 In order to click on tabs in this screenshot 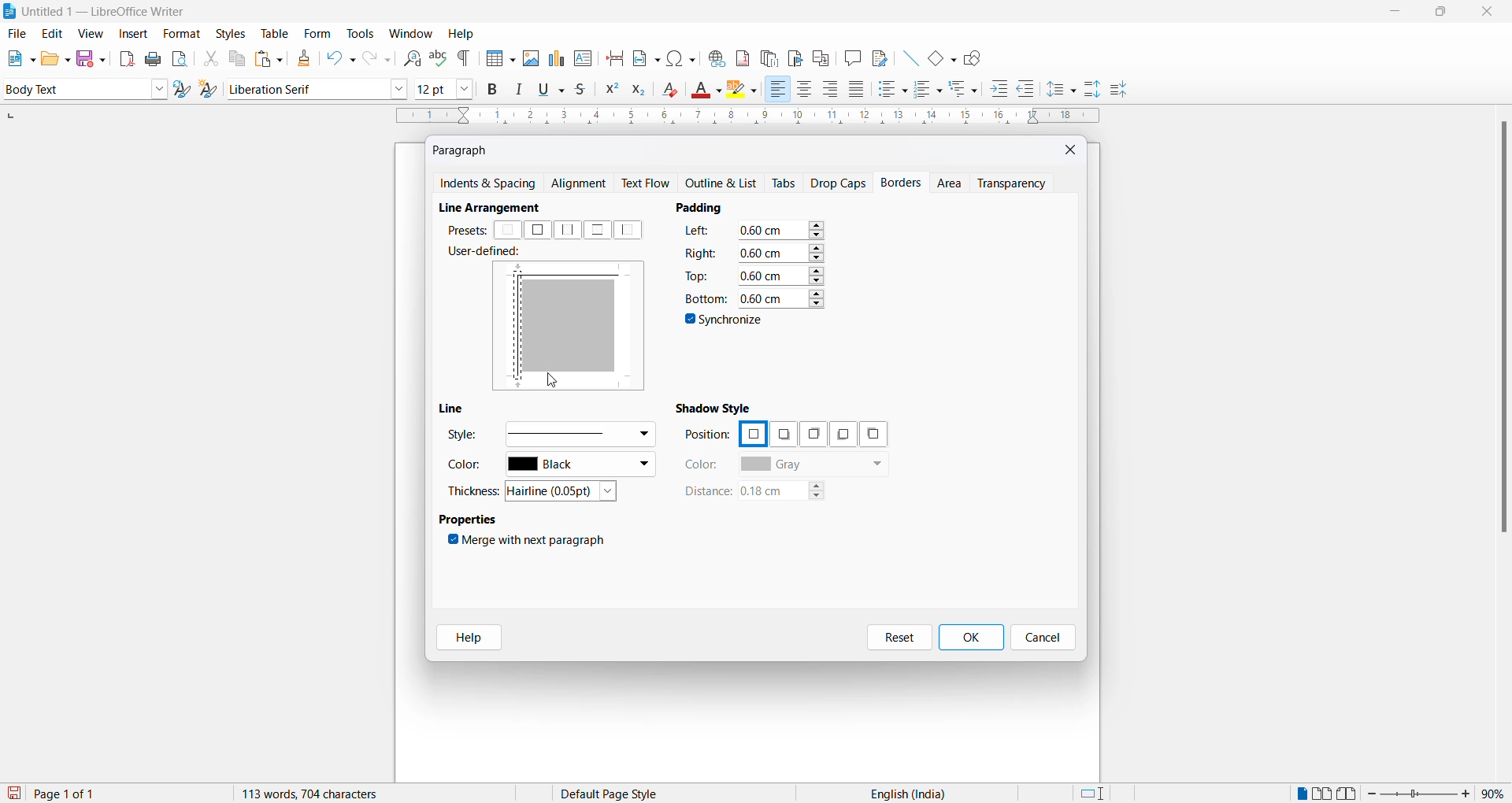, I will do `click(785, 183)`.